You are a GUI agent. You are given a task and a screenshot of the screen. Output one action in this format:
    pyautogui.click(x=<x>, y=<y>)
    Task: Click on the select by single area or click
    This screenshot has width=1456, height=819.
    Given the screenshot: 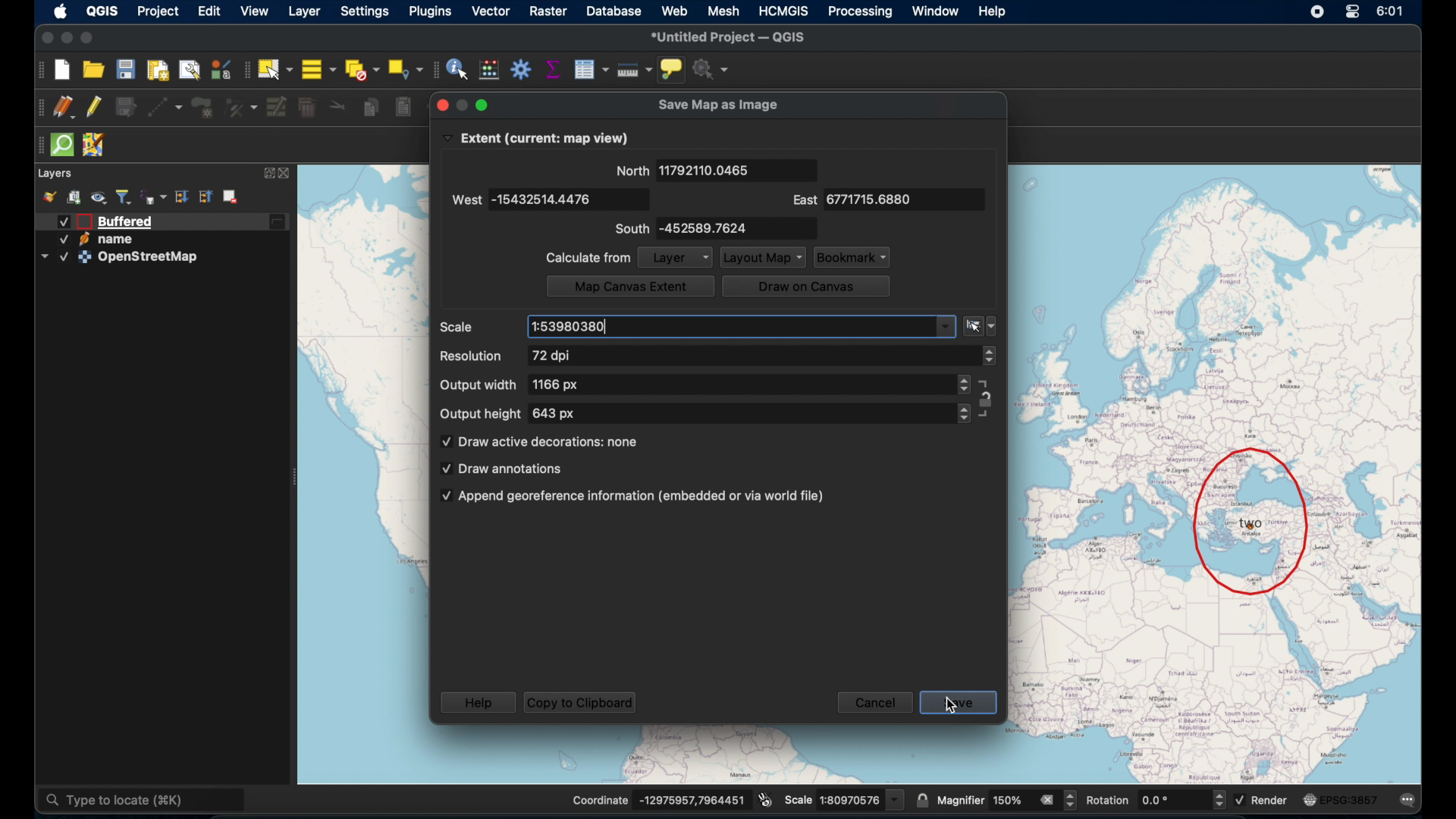 What is the action you would take?
    pyautogui.click(x=274, y=68)
    